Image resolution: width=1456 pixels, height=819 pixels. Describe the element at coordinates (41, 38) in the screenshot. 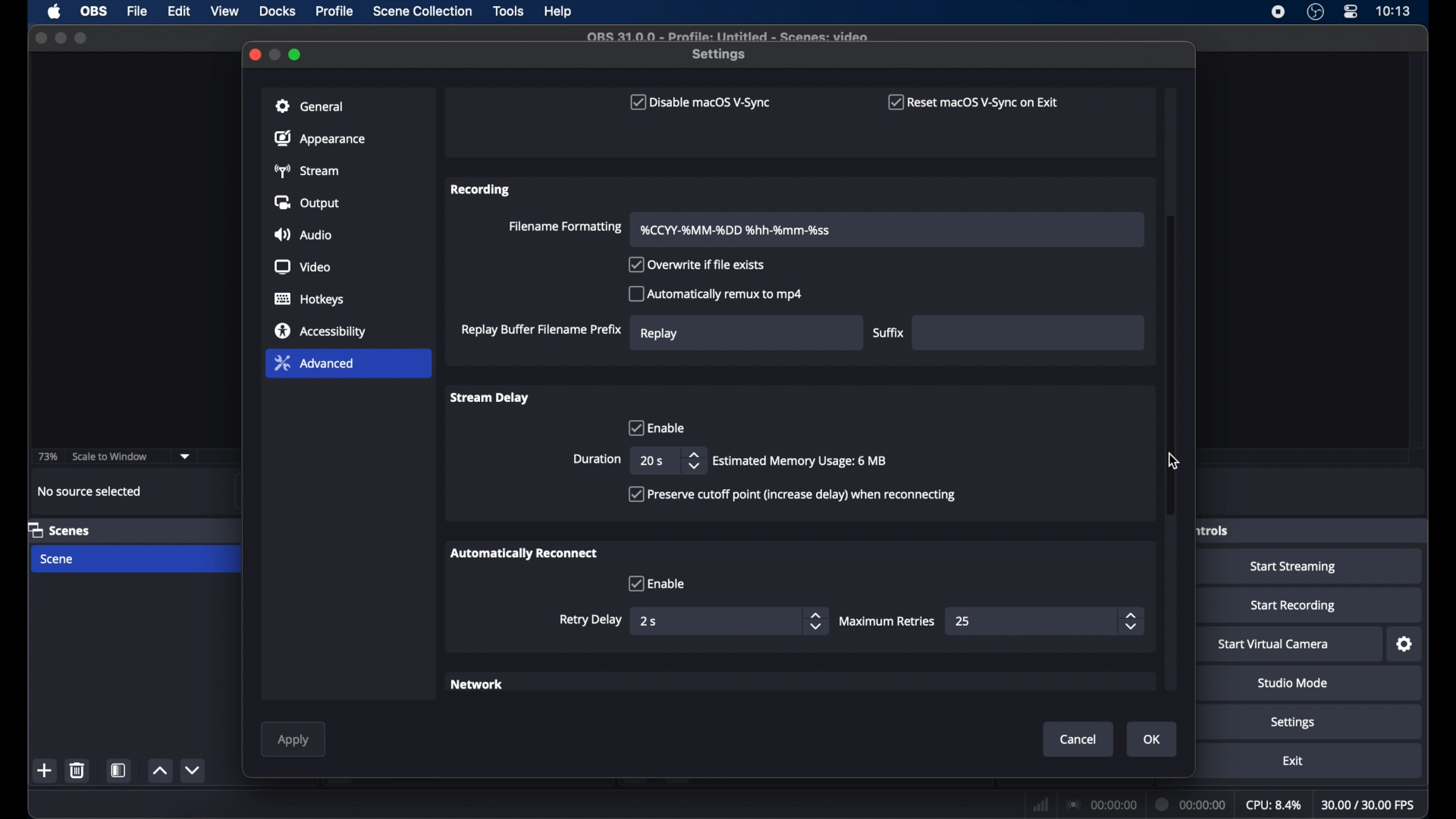

I see `close` at that location.